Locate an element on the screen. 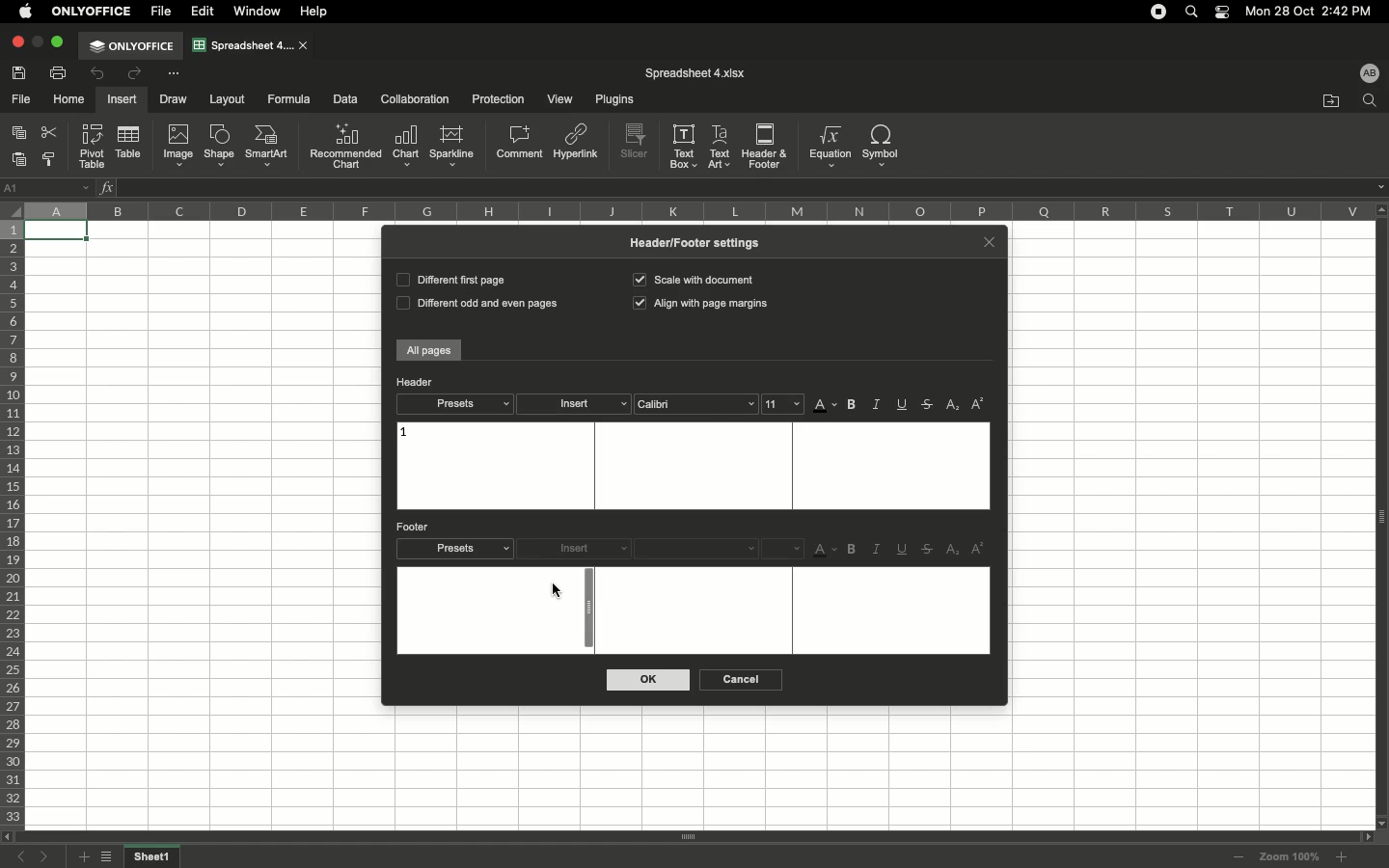 The image size is (1389, 868). Insert function is located at coordinates (108, 187).